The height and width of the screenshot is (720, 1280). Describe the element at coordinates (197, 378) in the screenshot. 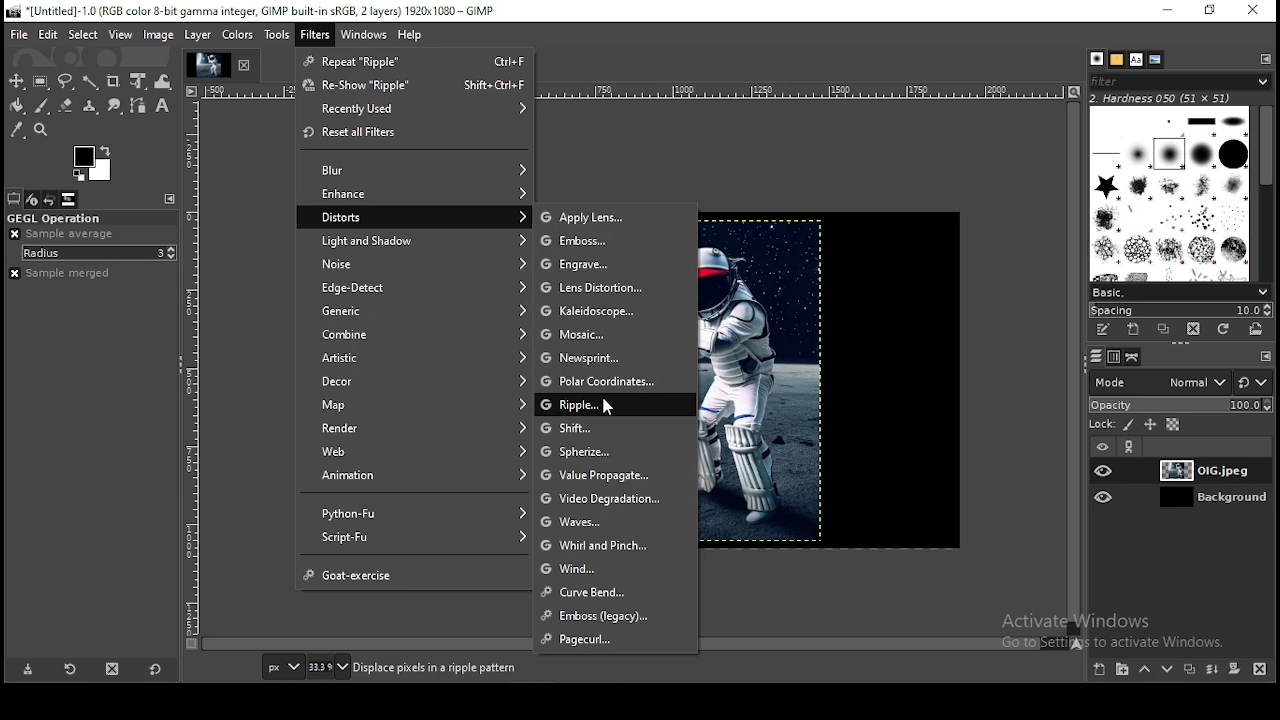

I see `measuring line` at that location.